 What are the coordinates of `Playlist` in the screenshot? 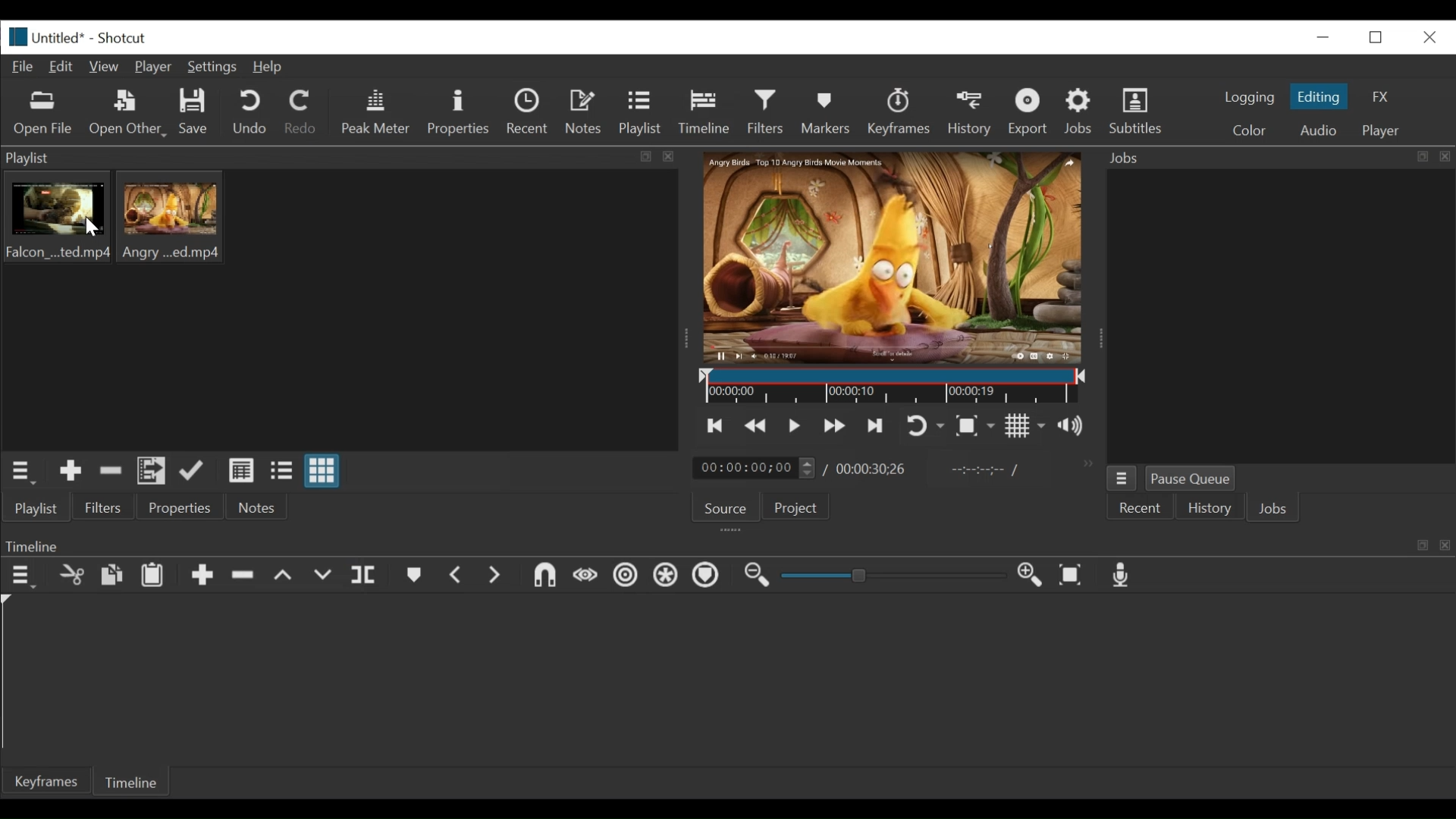 It's located at (641, 114).